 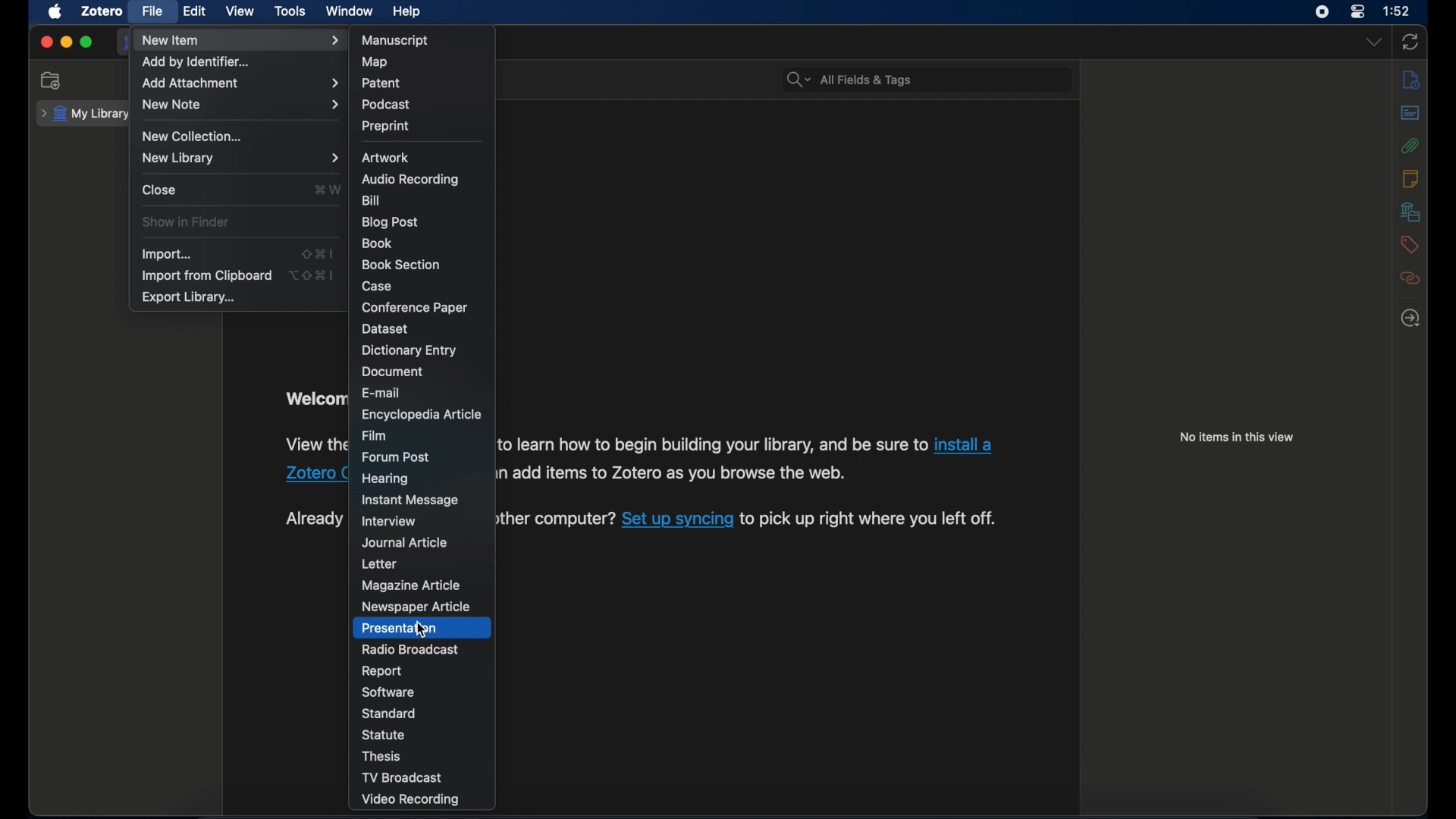 I want to click on new note, so click(x=241, y=104).